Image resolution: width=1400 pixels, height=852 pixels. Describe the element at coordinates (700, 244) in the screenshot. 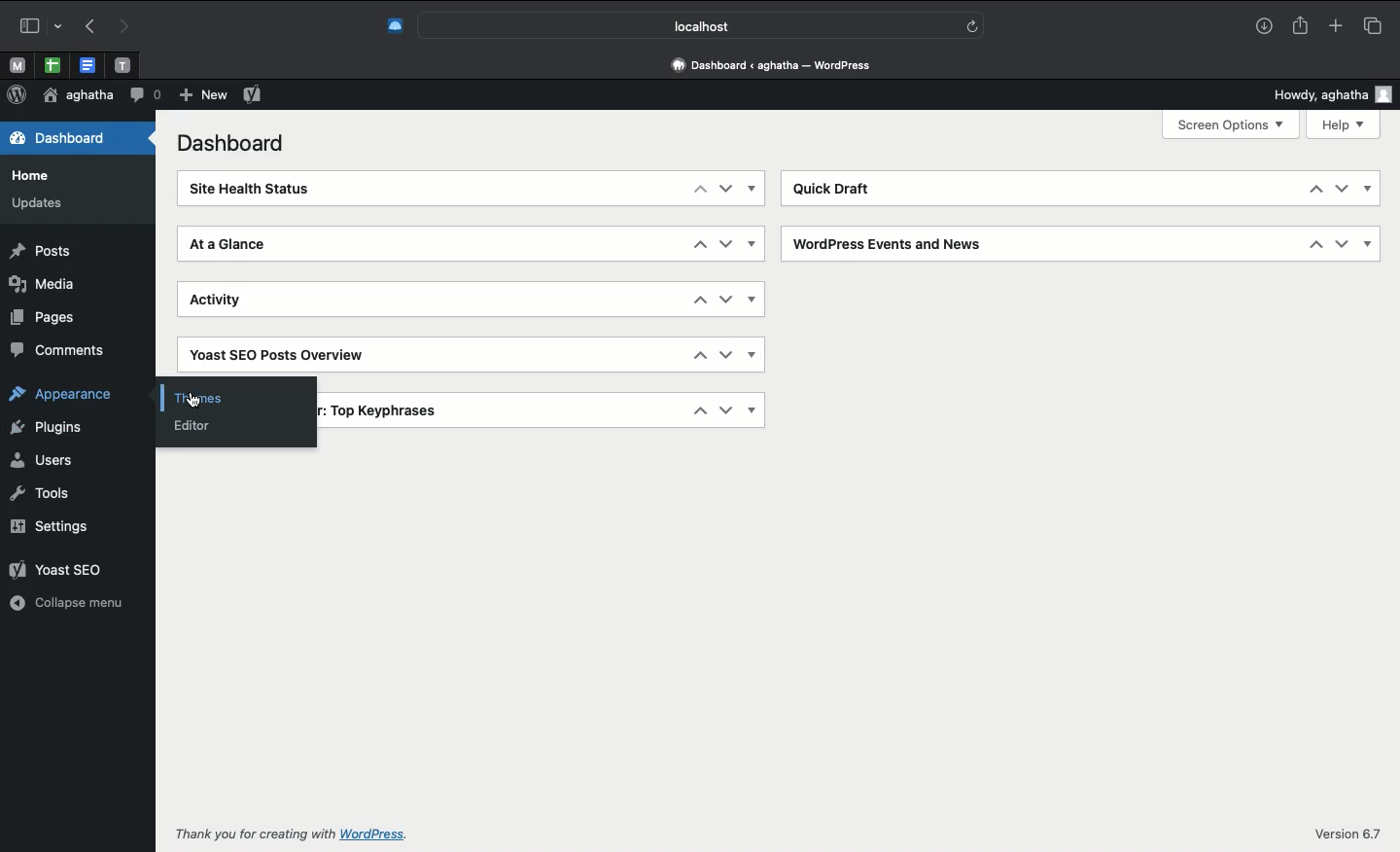

I see `Up` at that location.